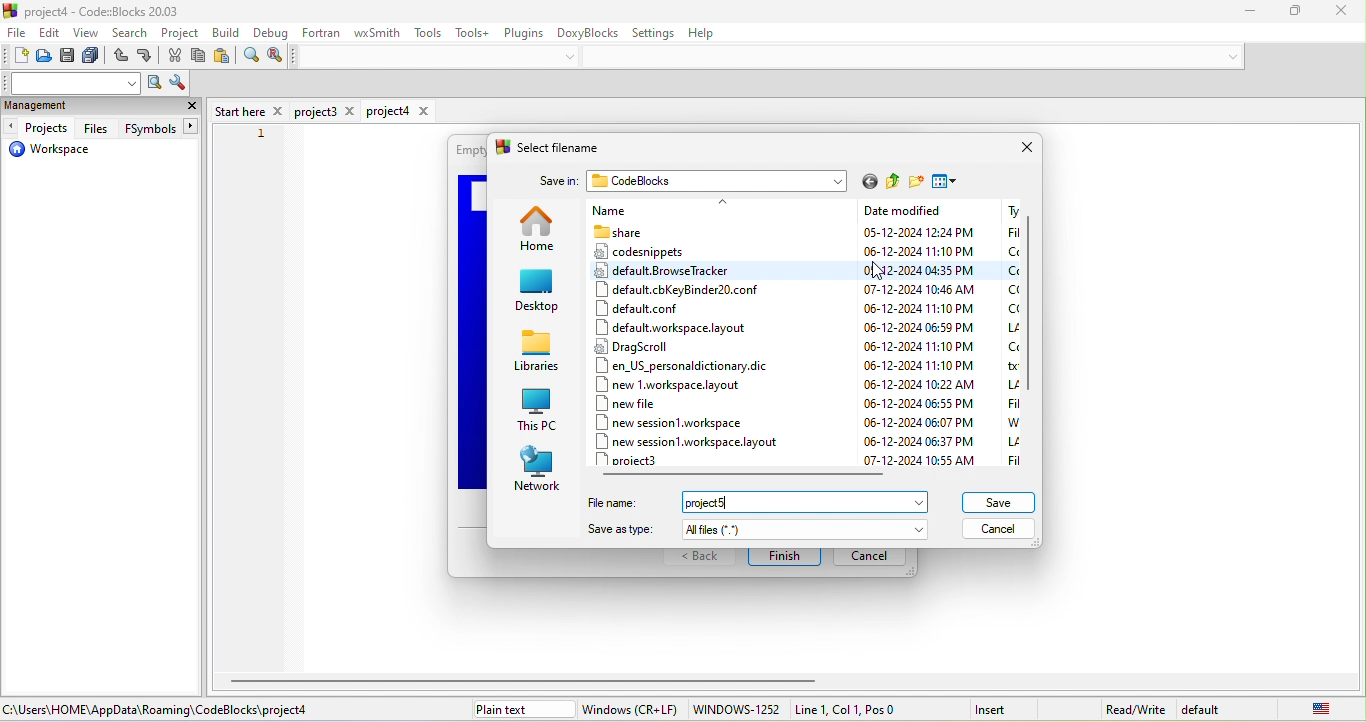  What do you see at coordinates (70, 58) in the screenshot?
I see `save` at bounding box center [70, 58].